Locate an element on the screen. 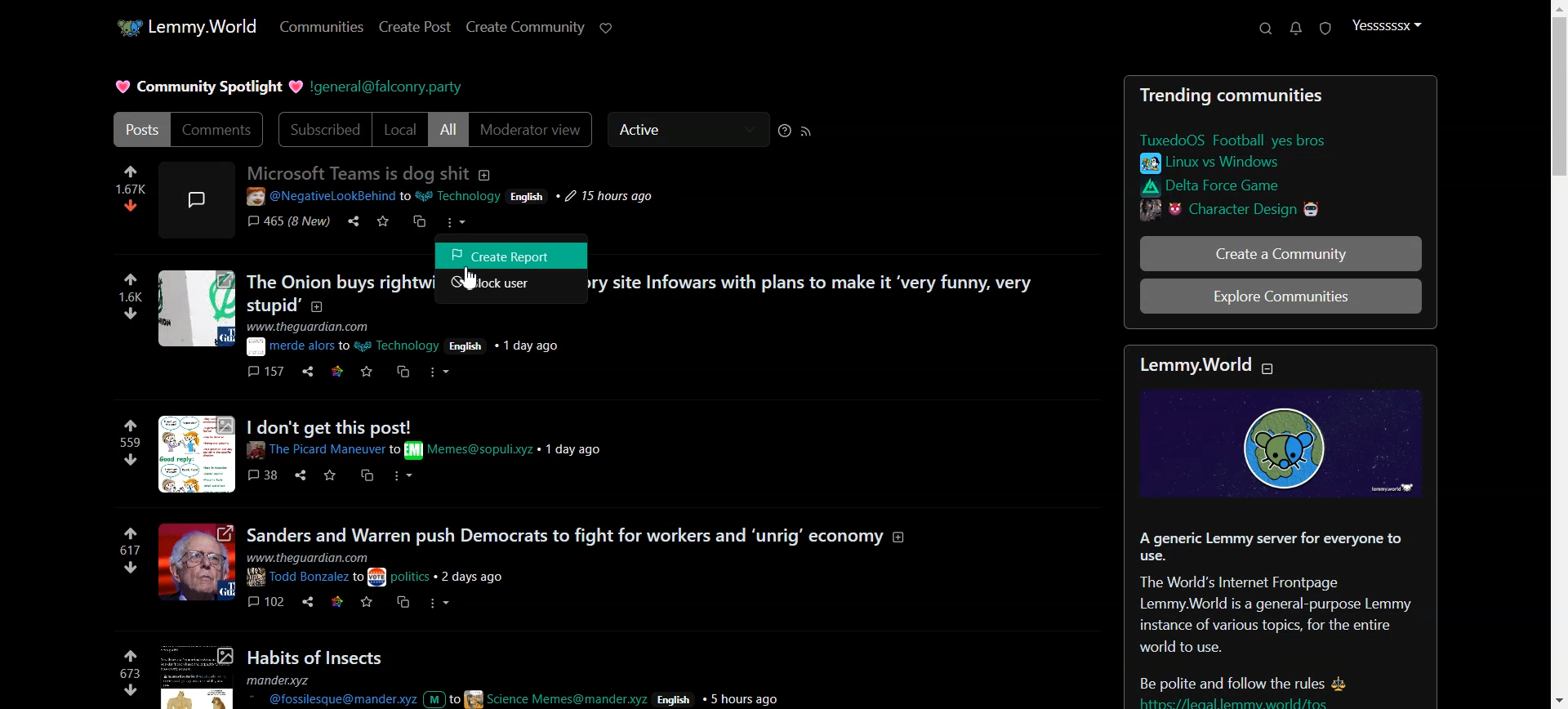  link is located at coordinates (341, 372).